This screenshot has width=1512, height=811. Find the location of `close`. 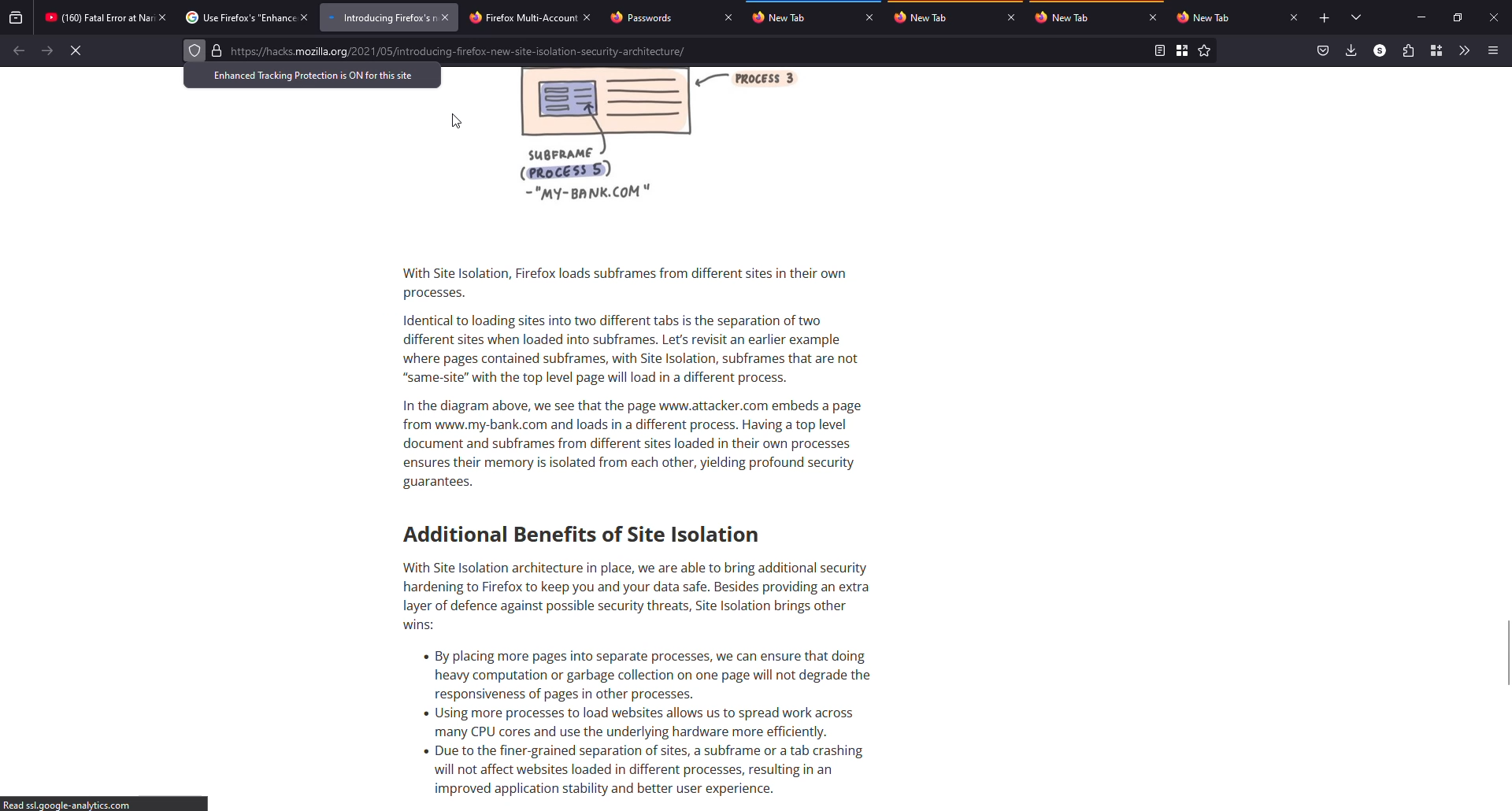

close is located at coordinates (1011, 17).